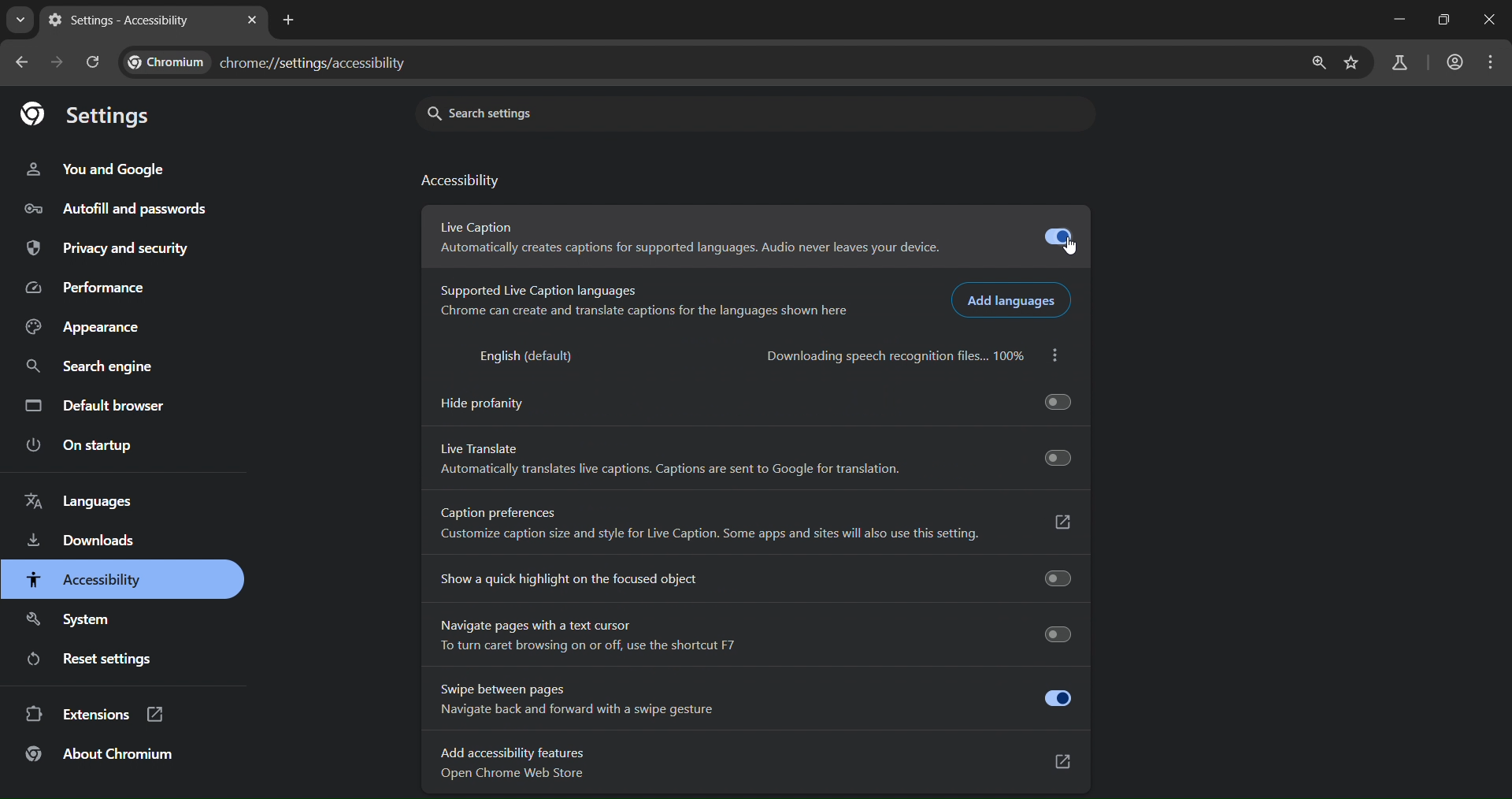 The width and height of the screenshot is (1512, 799). What do you see at coordinates (93, 407) in the screenshot?
I see `default browser` at bounding box center [93, 407].